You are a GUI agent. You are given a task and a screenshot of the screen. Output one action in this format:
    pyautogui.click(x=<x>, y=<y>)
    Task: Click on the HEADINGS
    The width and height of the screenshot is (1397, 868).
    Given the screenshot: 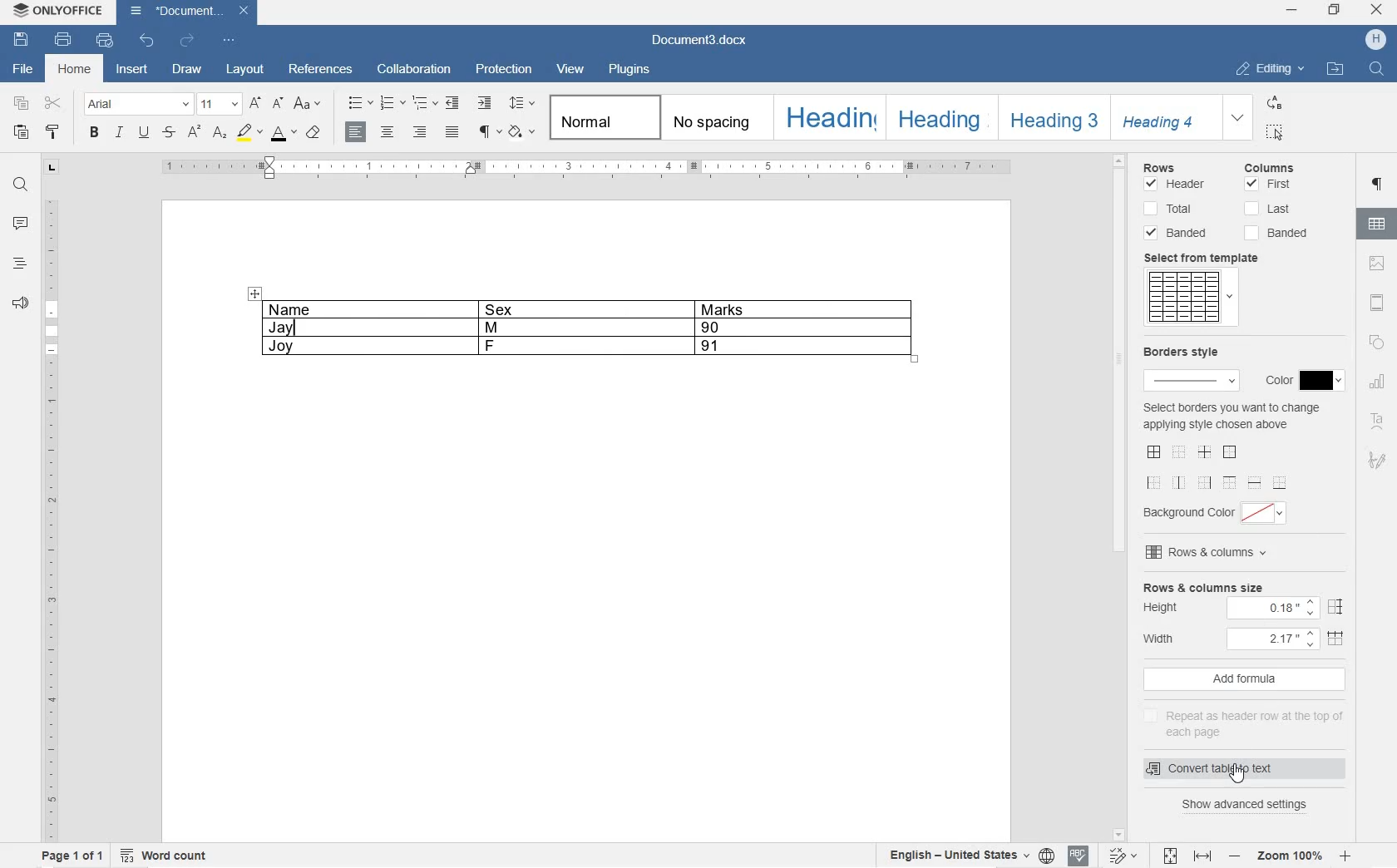 What is the action you would take?
    pyautogui.click(x=18, y=263)
    